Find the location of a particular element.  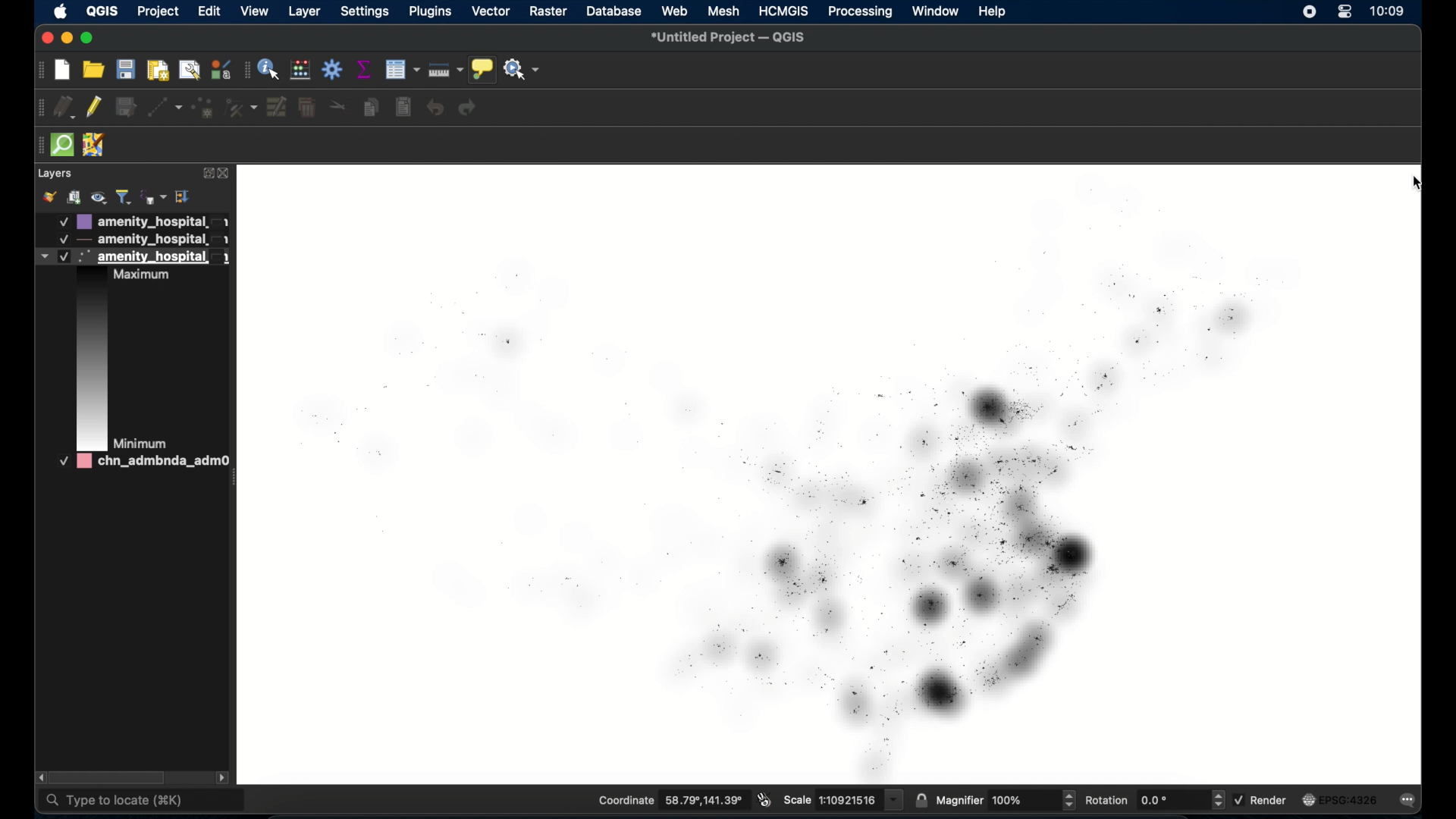

layer 2 is located at coordinates (141, 240).